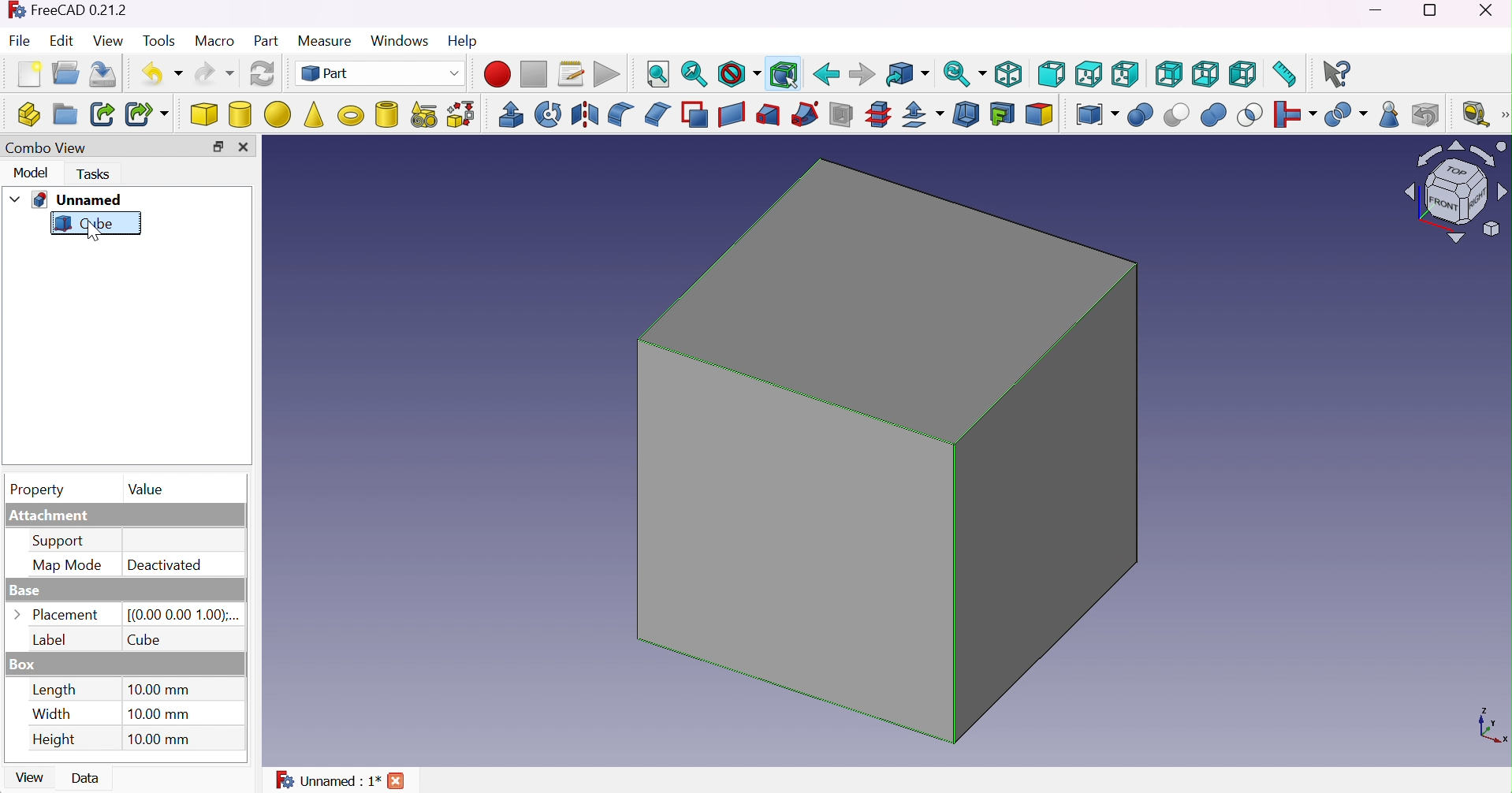  What do you see at coordinates (888, 453) in the screenshot?
I see `Cube` at bounding box center [888, 453].